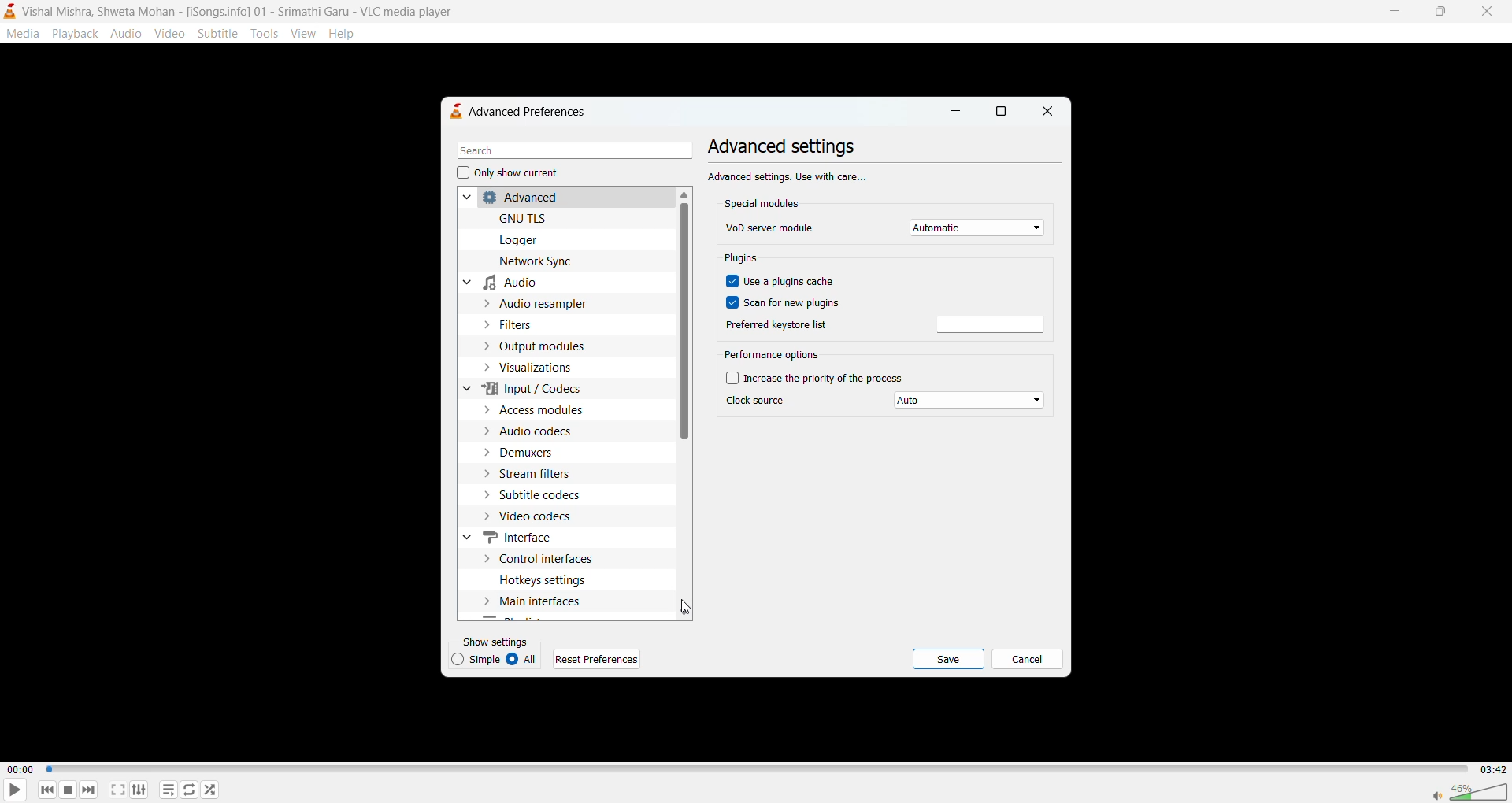  What do you see at coordinates (547, 303) in the screenshot?
I see `audio resampler` at bounding box center [547, 303].